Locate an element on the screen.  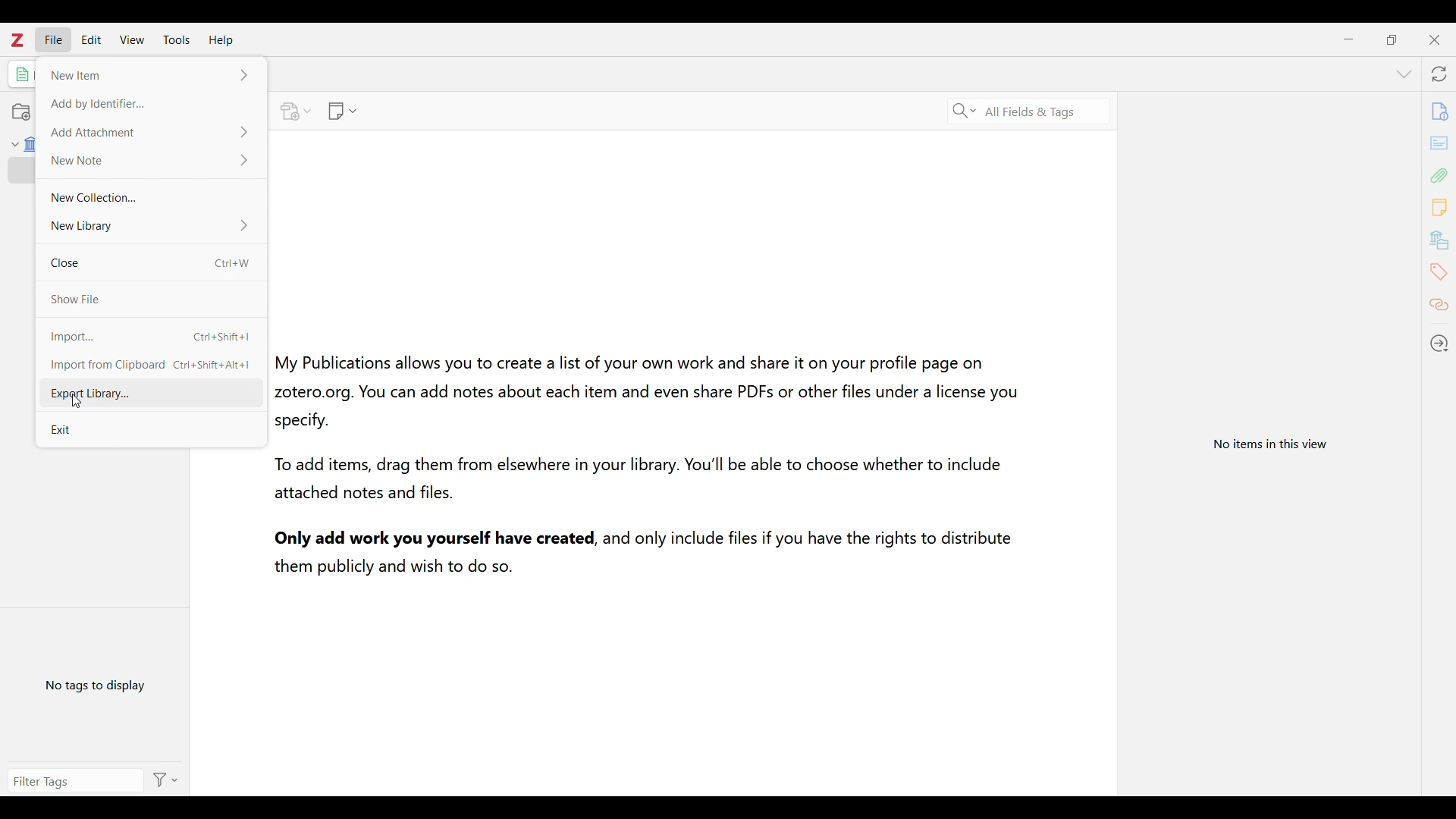
Export Library is located at coordinates (138, 393).